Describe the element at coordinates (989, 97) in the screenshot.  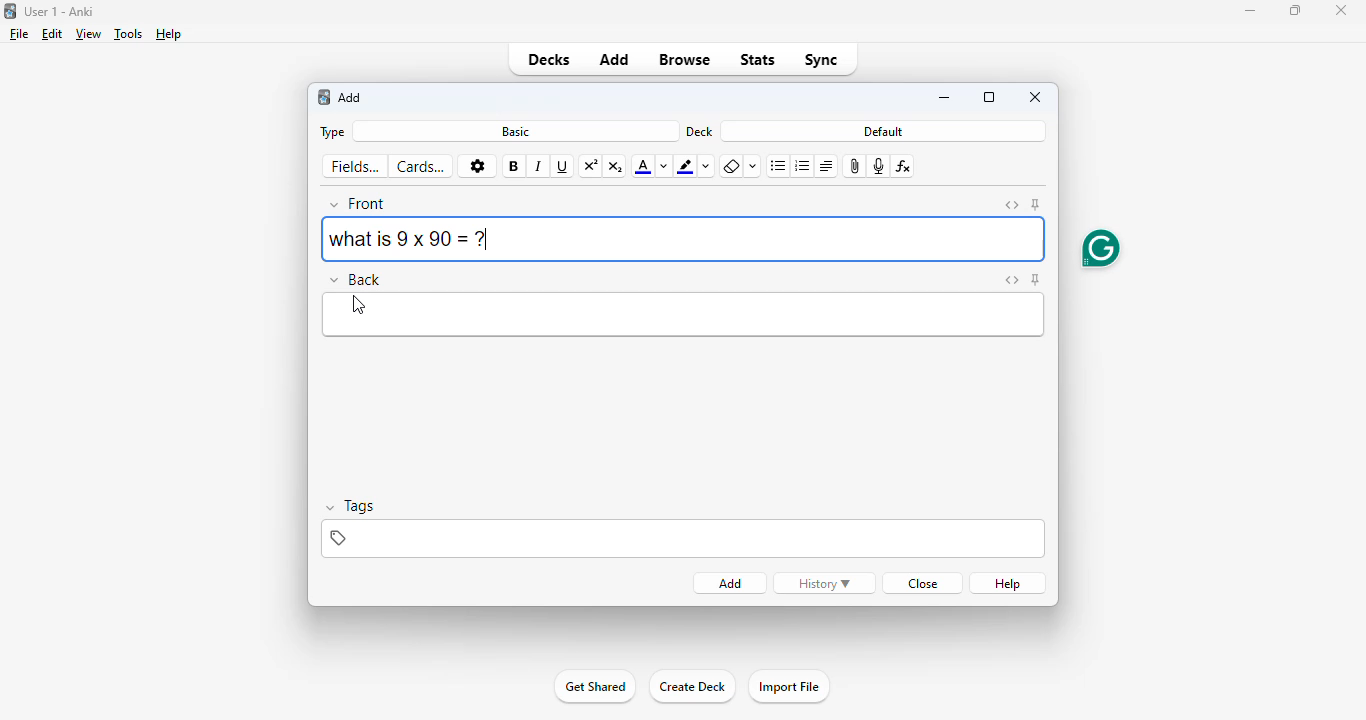
I see `maximize` at that location.